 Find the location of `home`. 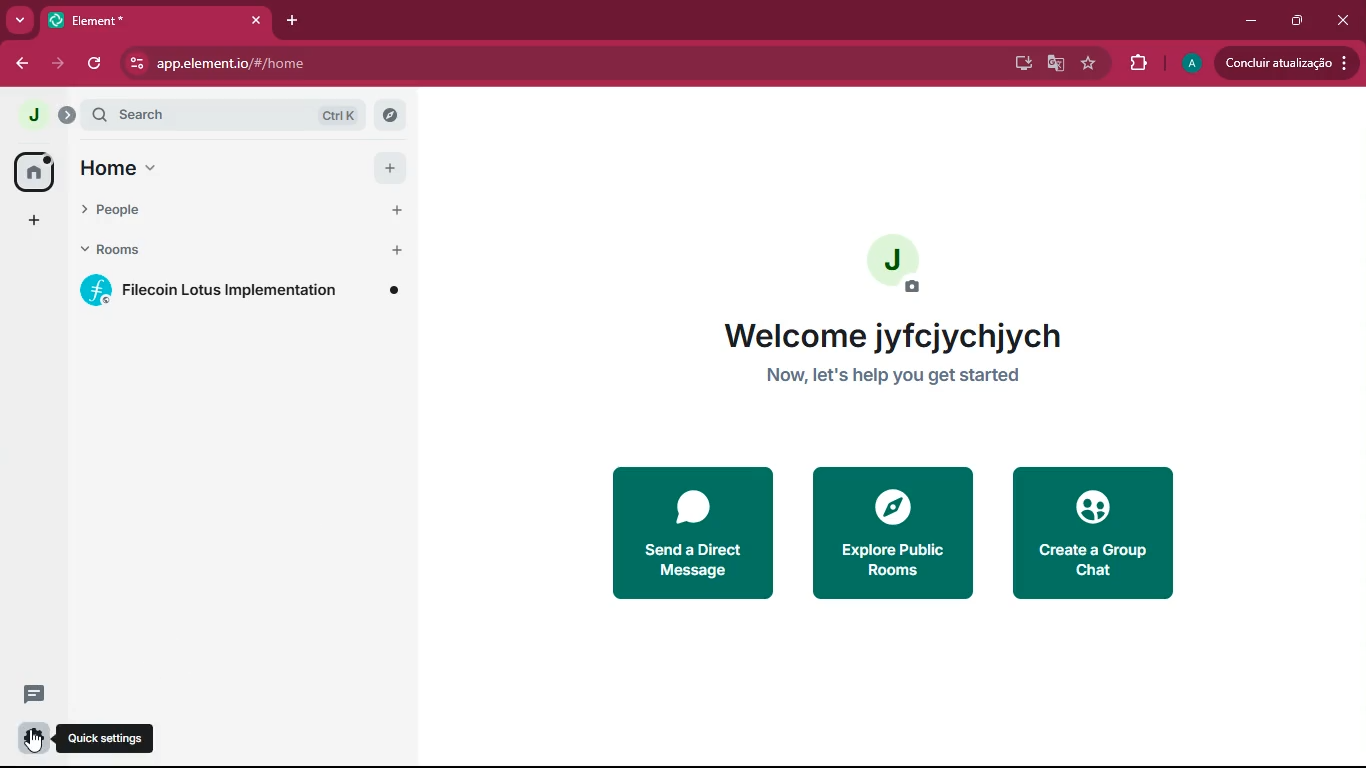

home is located at coordinates (33, 172).